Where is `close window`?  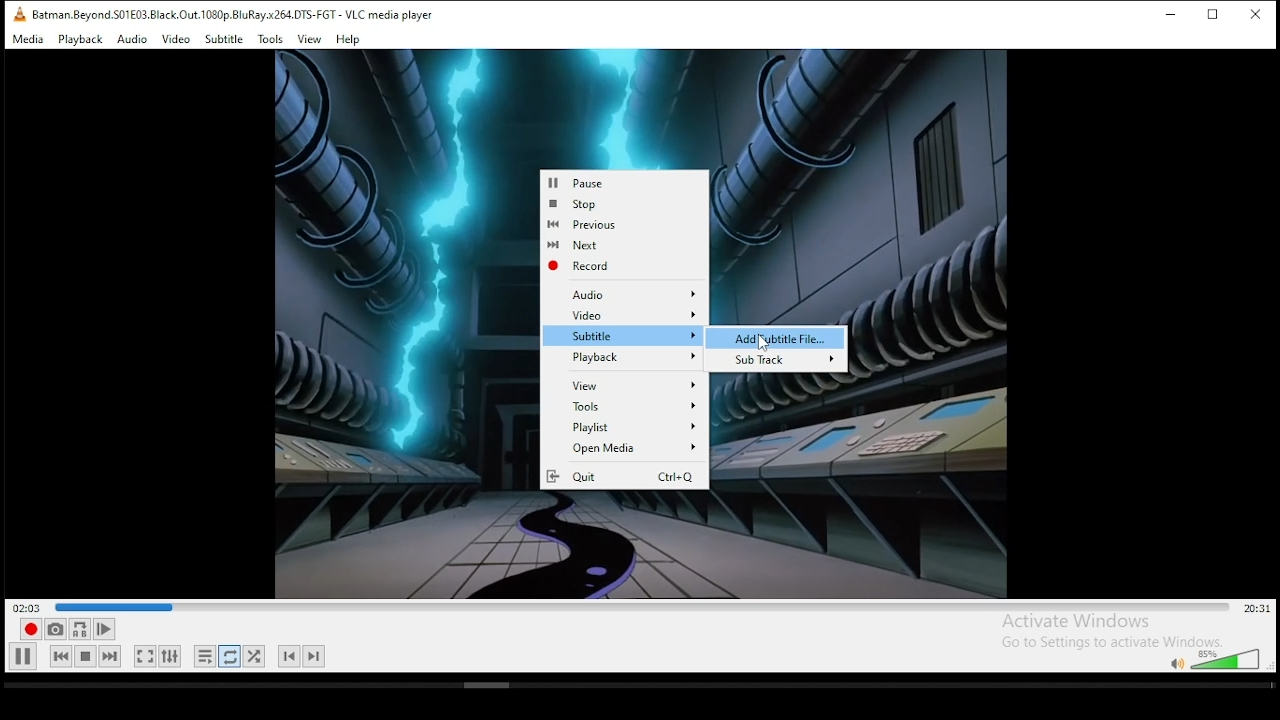
close window is located at coordinates (1256, 13).